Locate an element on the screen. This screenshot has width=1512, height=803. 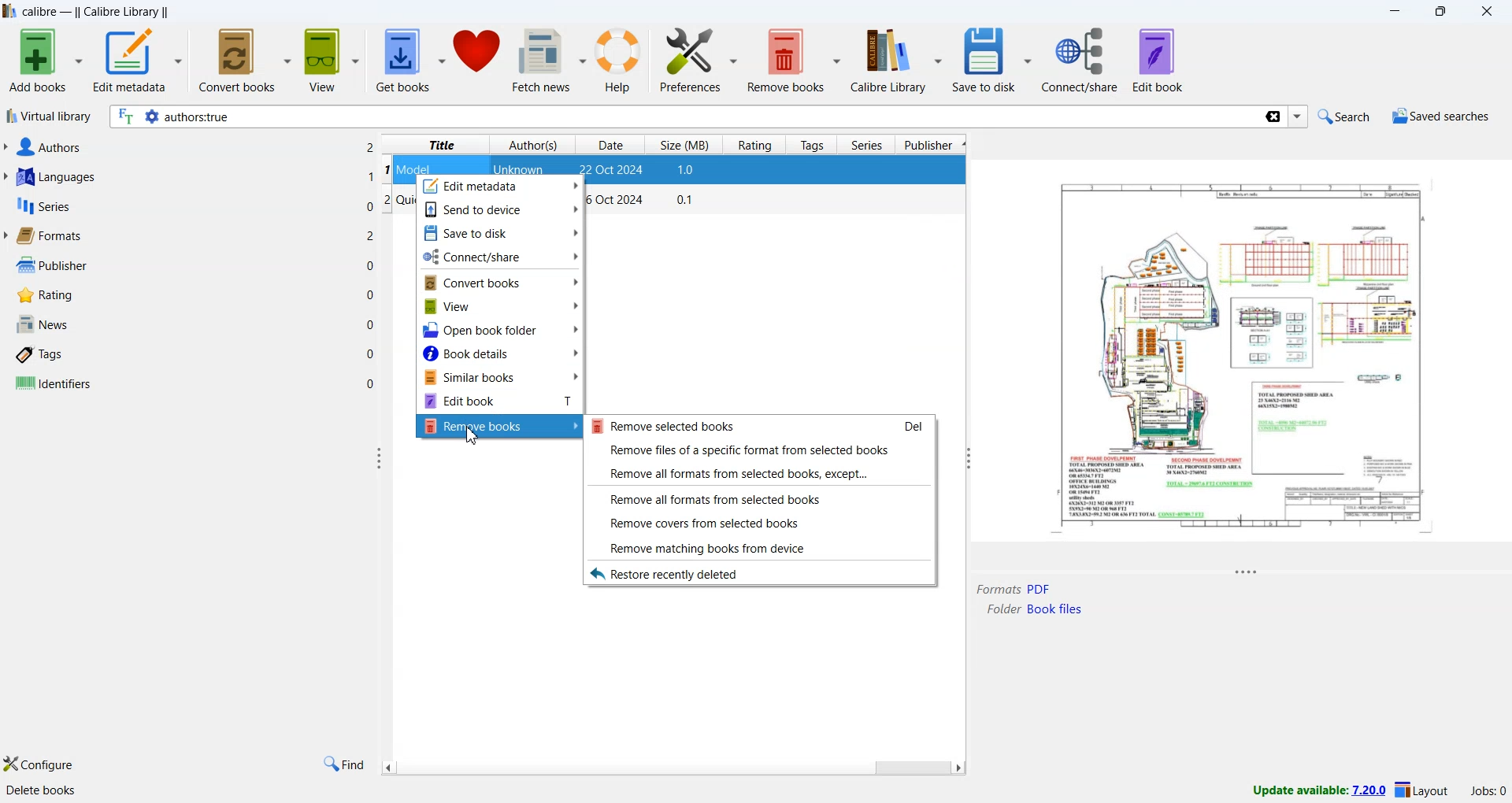
add books is located at coordinates (44, 61).